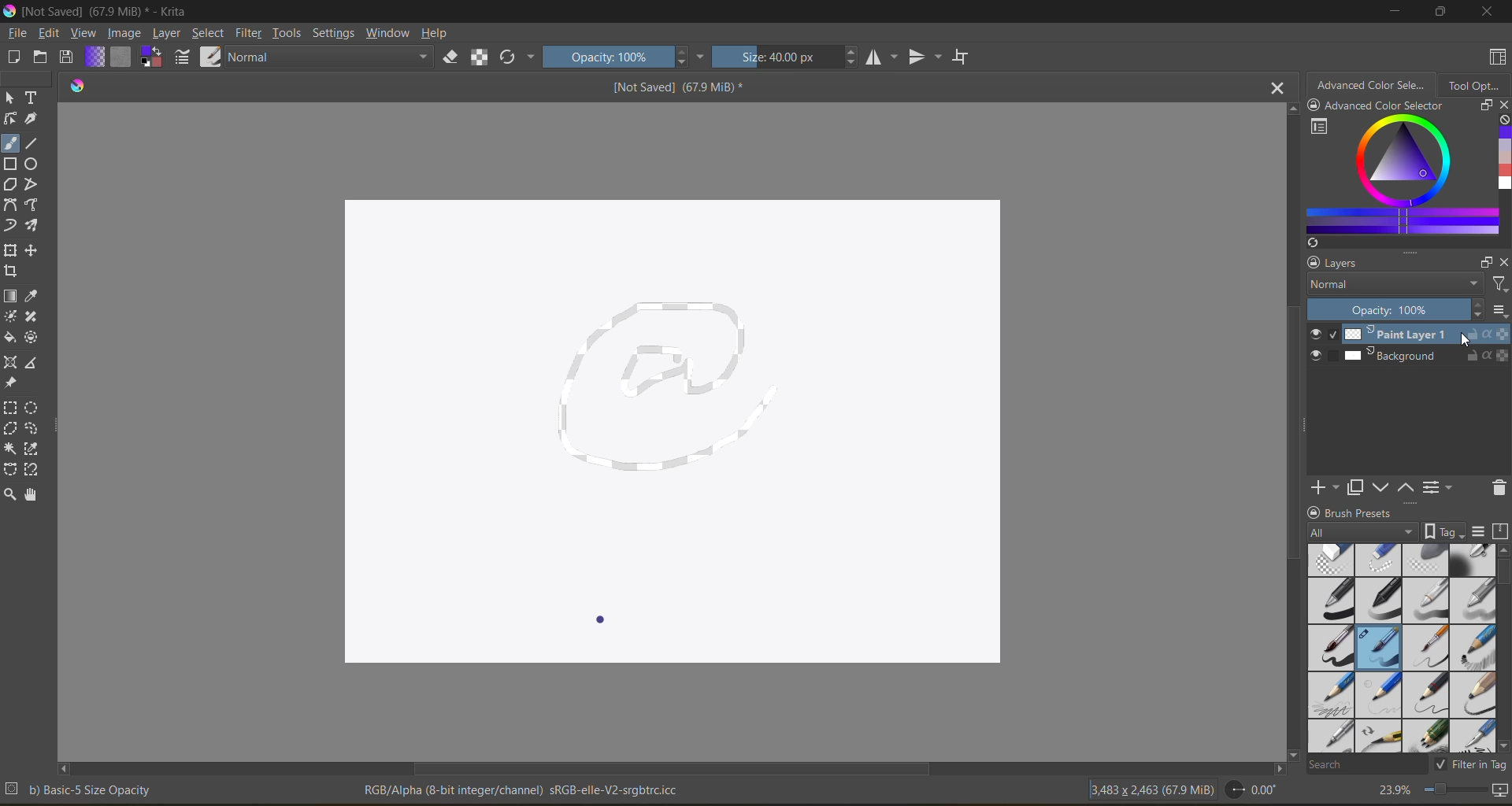 The height and width of the screenshot is (806, 1512). What do you see at coordinates (109, 11) in the screenshot?
I see `app name` at bounding box center [109, 11].